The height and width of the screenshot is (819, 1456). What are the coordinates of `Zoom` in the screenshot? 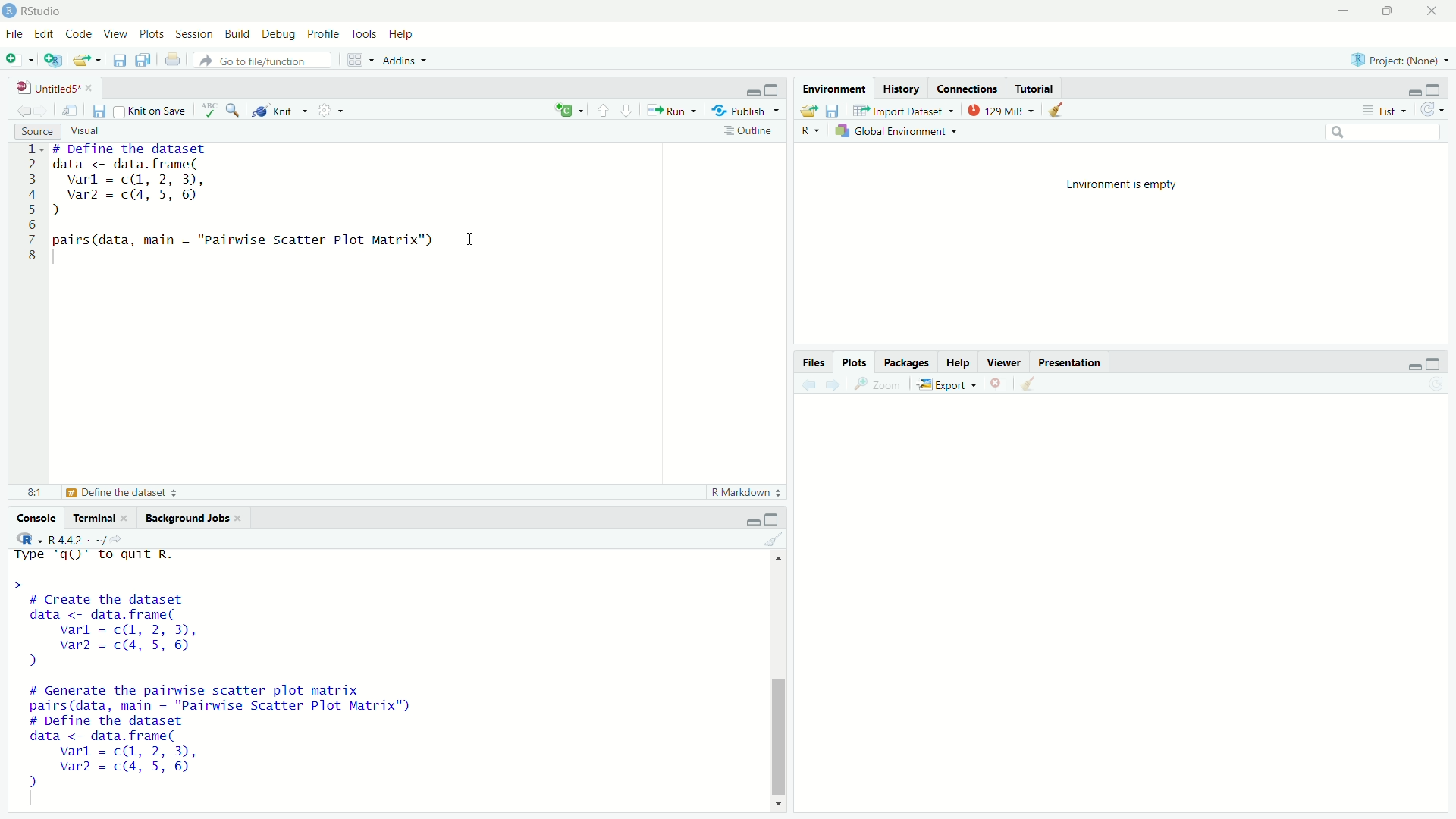 It's located at (875, 382).